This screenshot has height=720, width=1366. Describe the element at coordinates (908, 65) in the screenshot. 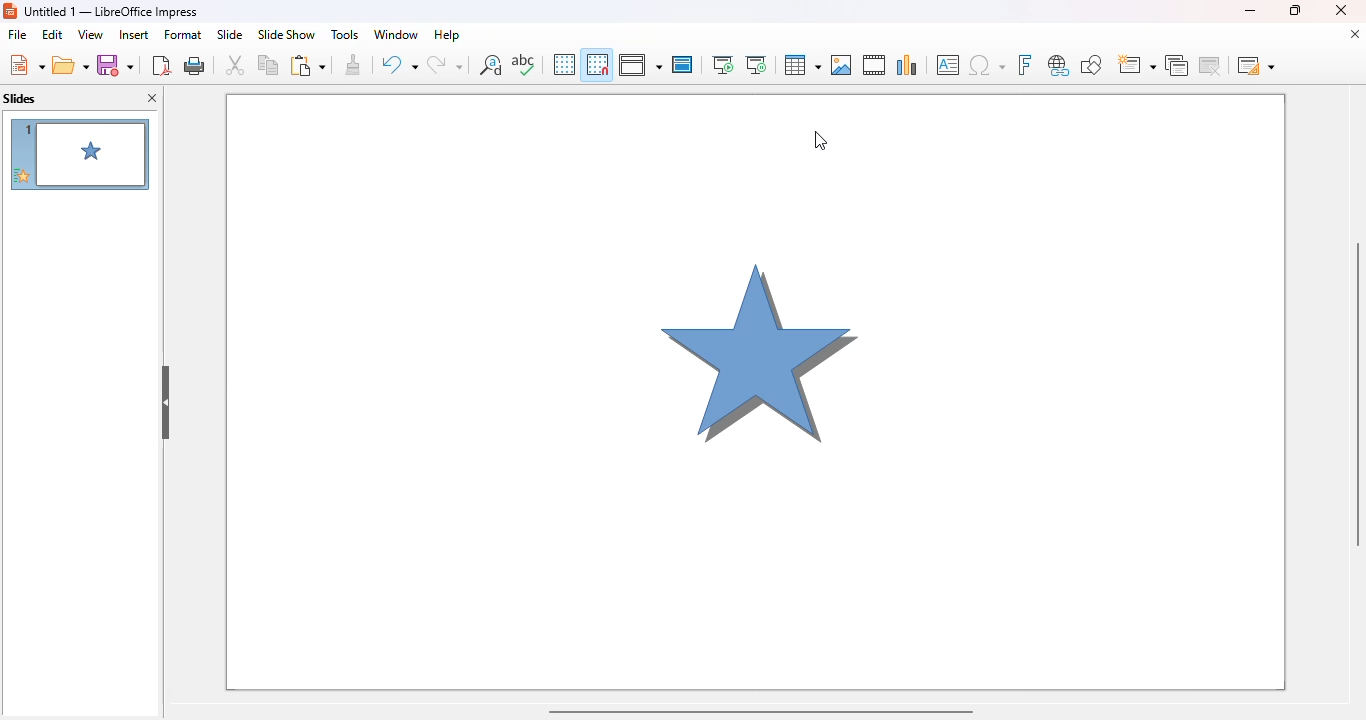

I see `insert chart` at that location.